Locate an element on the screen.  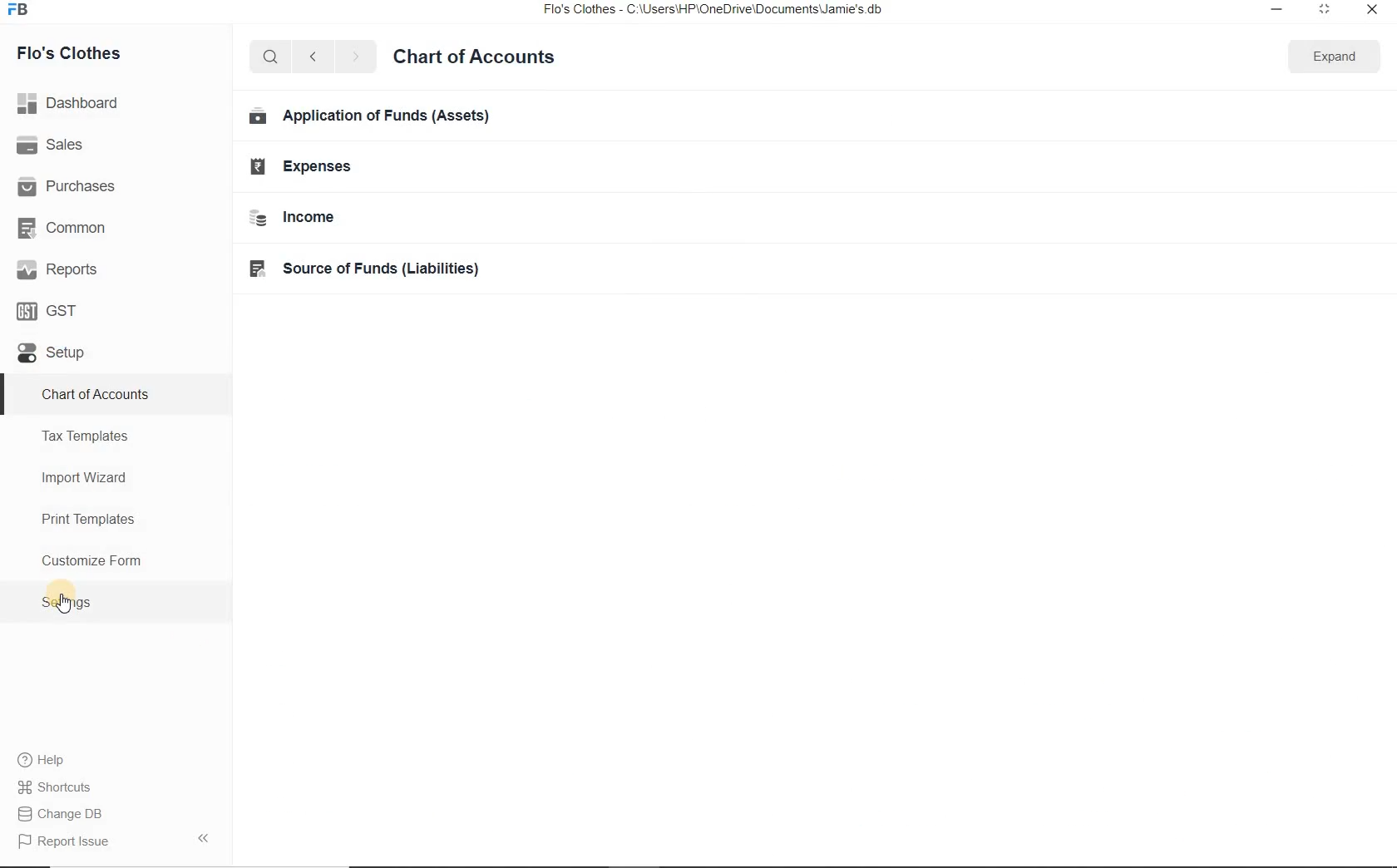
Income is located at coordinates (292, 216).